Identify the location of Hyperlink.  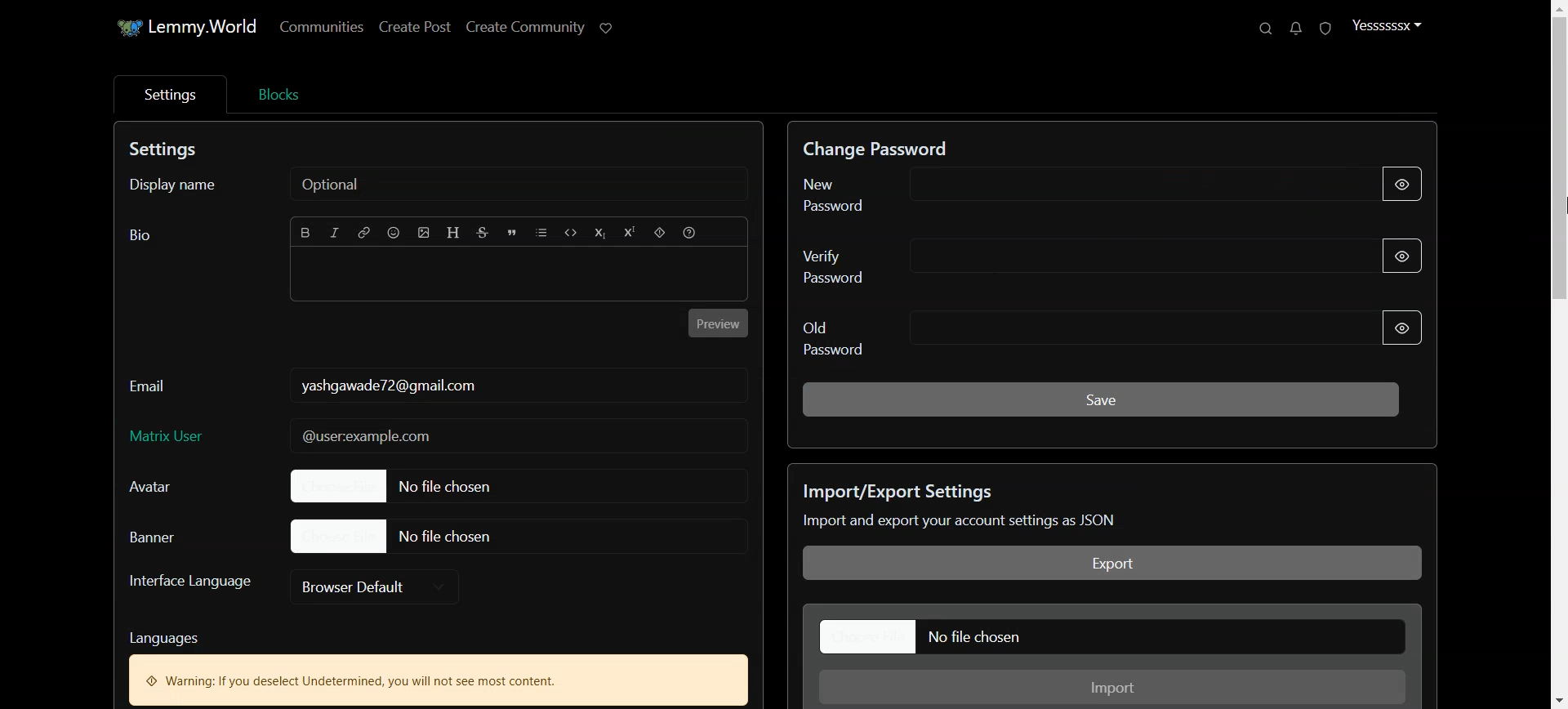
(363, 233).